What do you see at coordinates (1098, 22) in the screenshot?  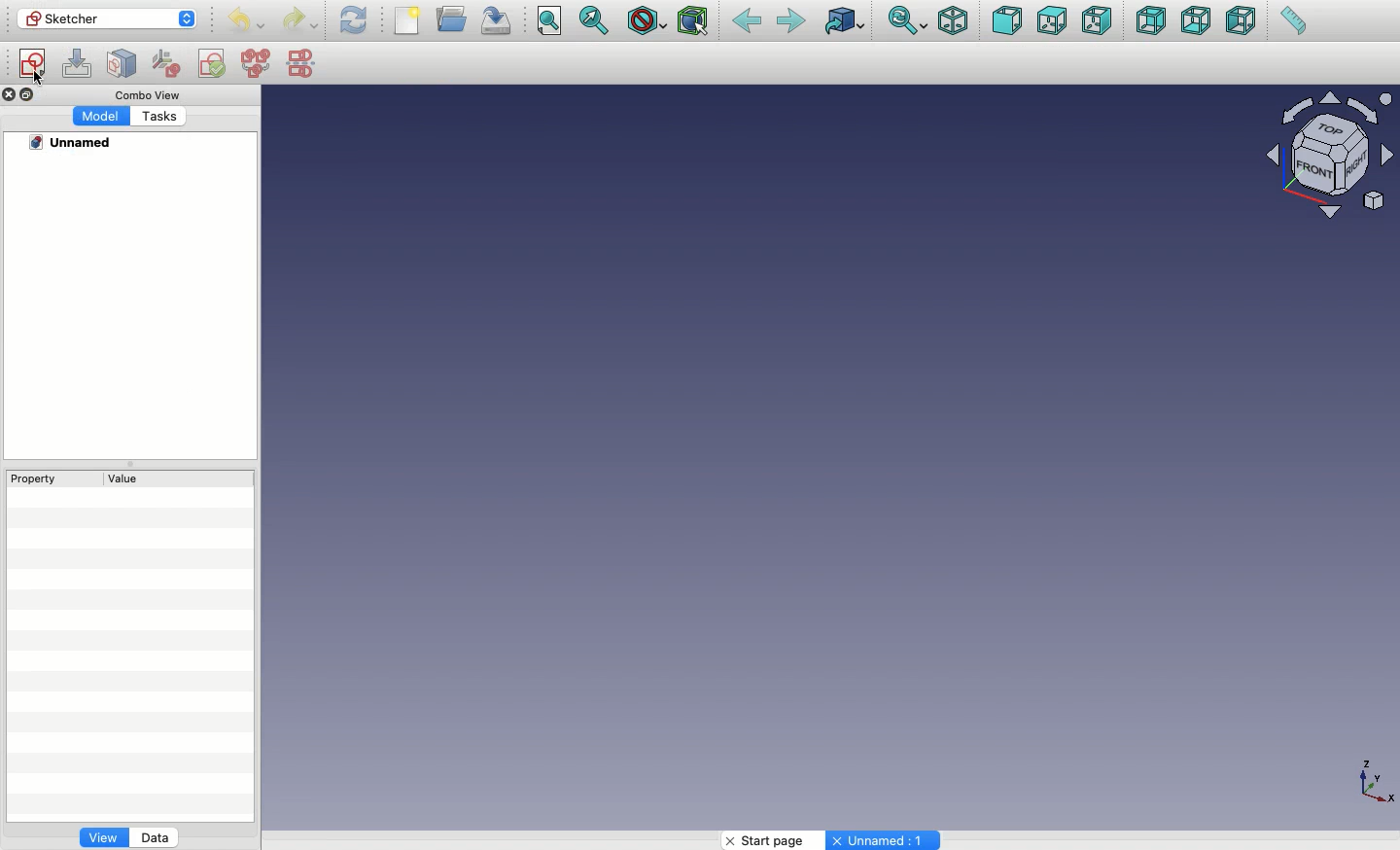 I see `Right` at bounding box center [1098, 22].